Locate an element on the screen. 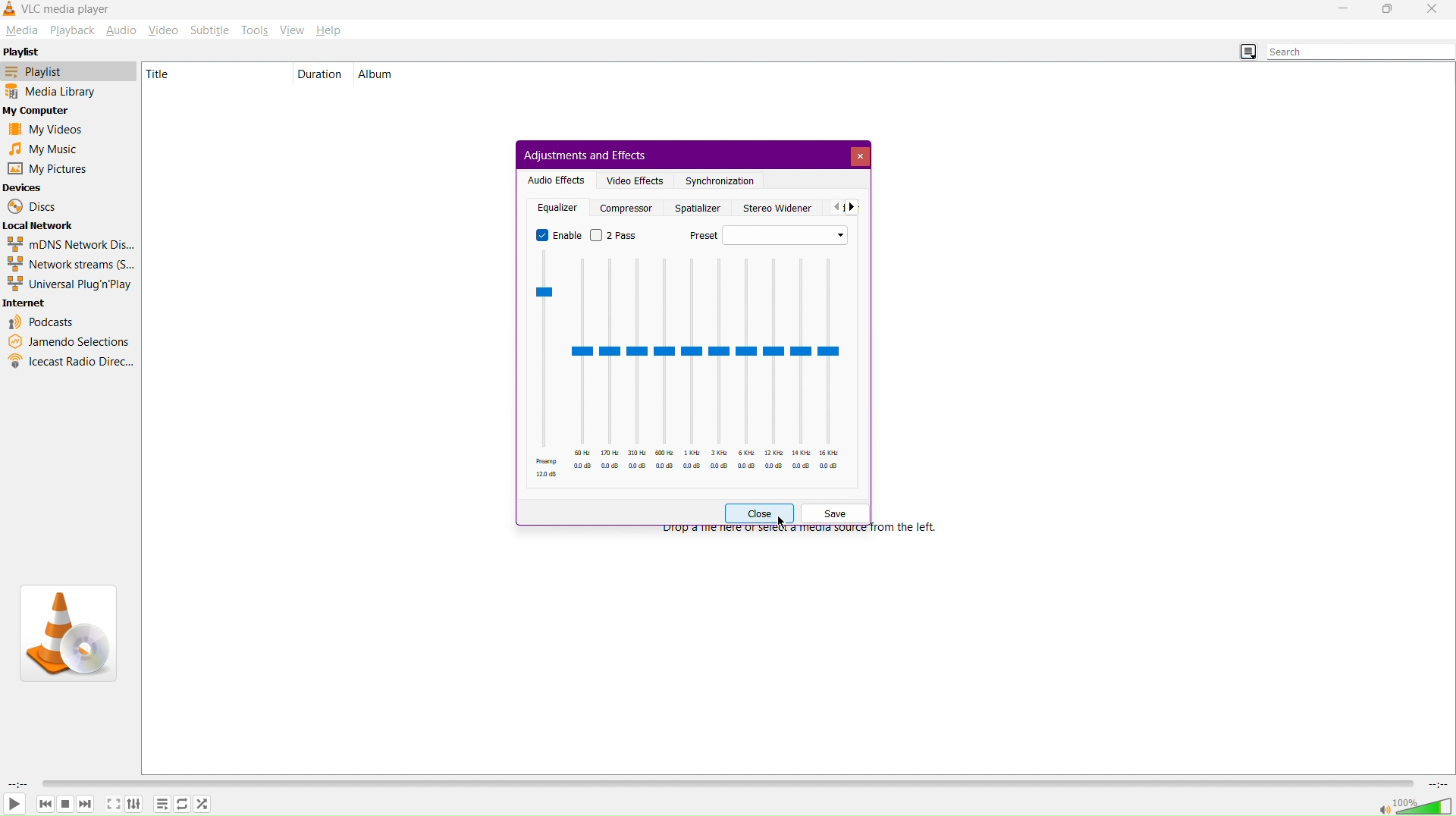 This screenshot has height=816, width=1456. Preset is located at coordinates (696, 236).